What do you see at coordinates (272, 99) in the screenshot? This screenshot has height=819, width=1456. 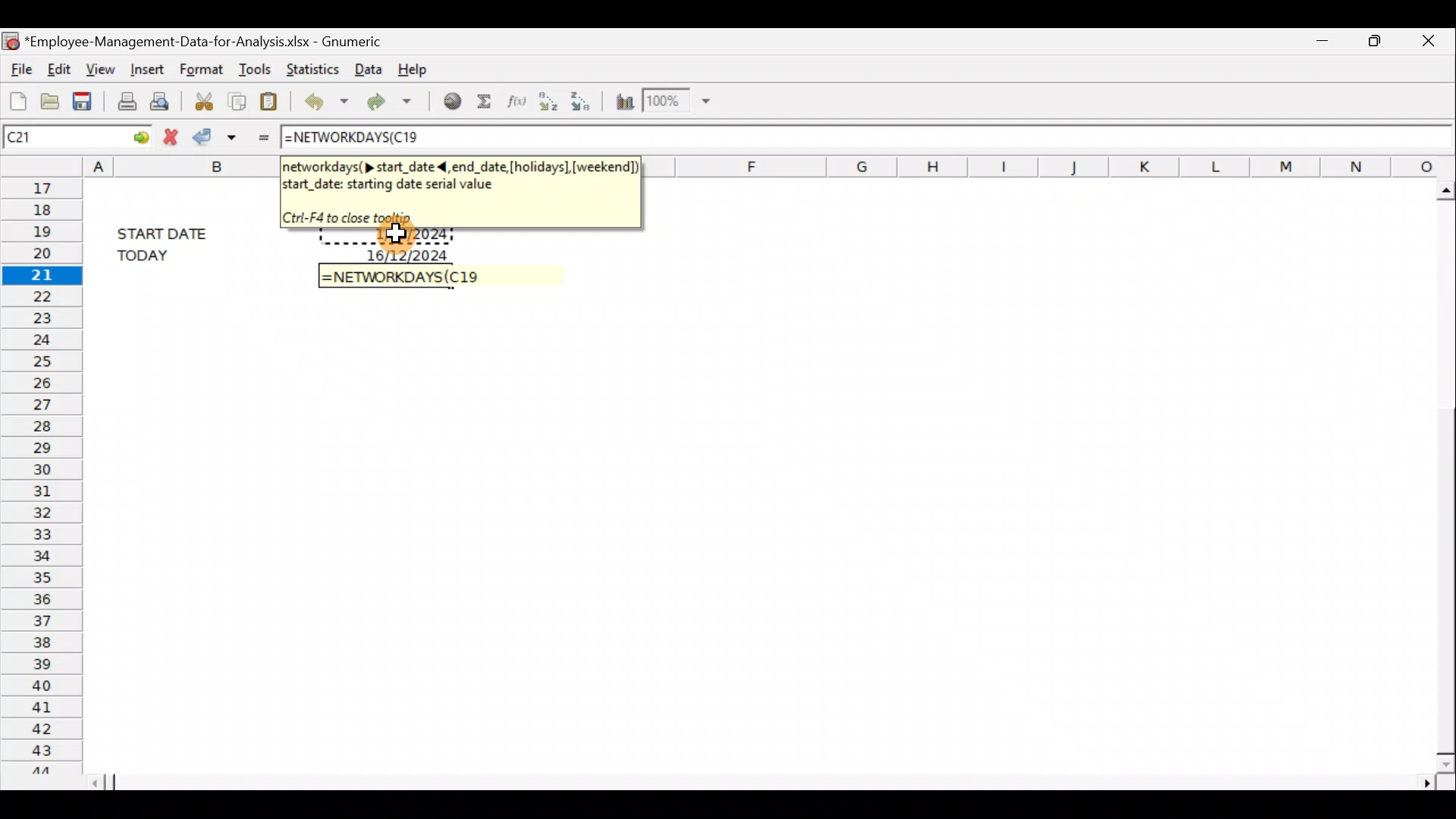 I see `Paste the clipboard` at bounding box center [272, 99].